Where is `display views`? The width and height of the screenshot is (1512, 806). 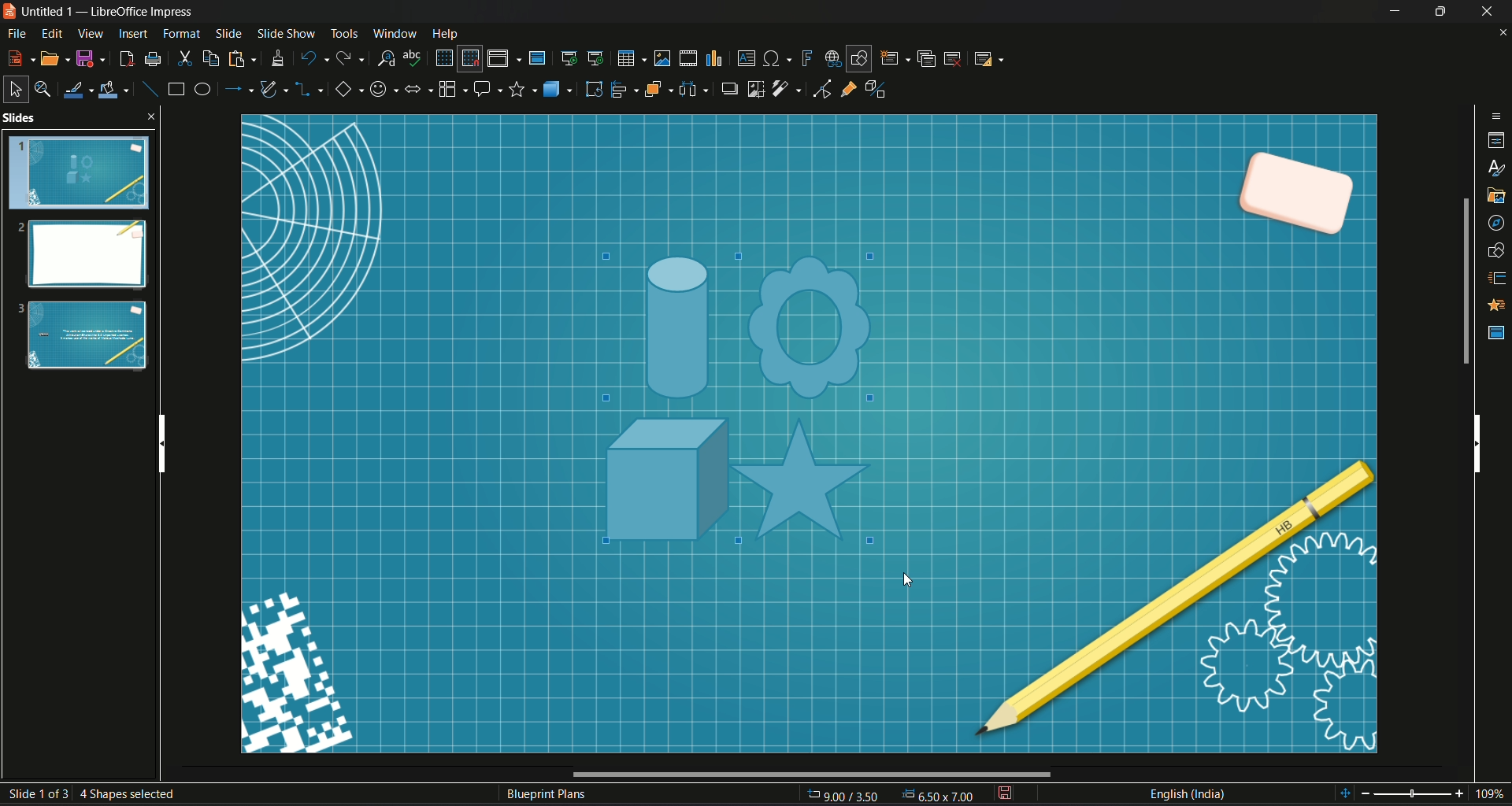 display views is located at coordinates (504, 58).